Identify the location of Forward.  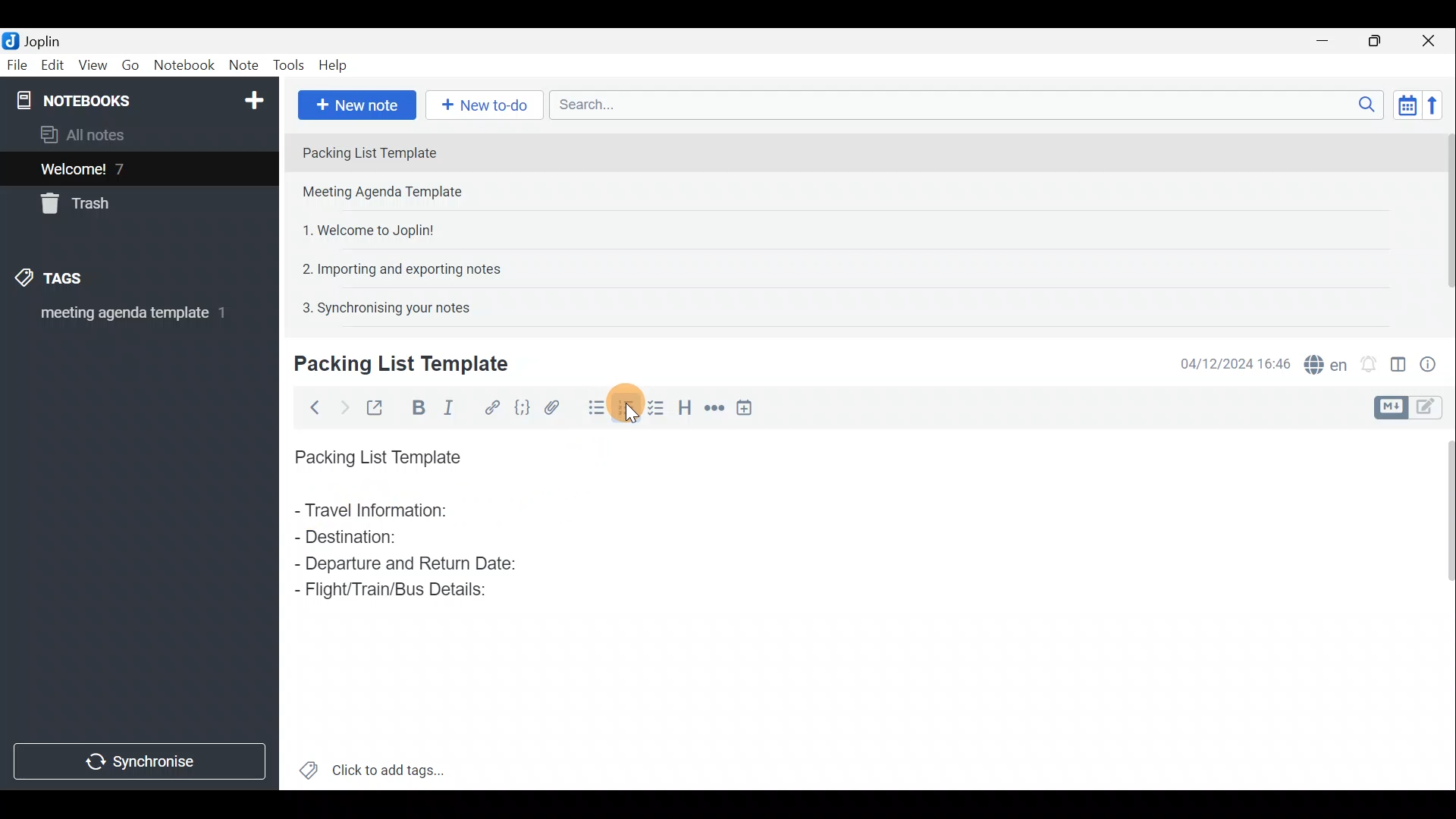
(341, 406).